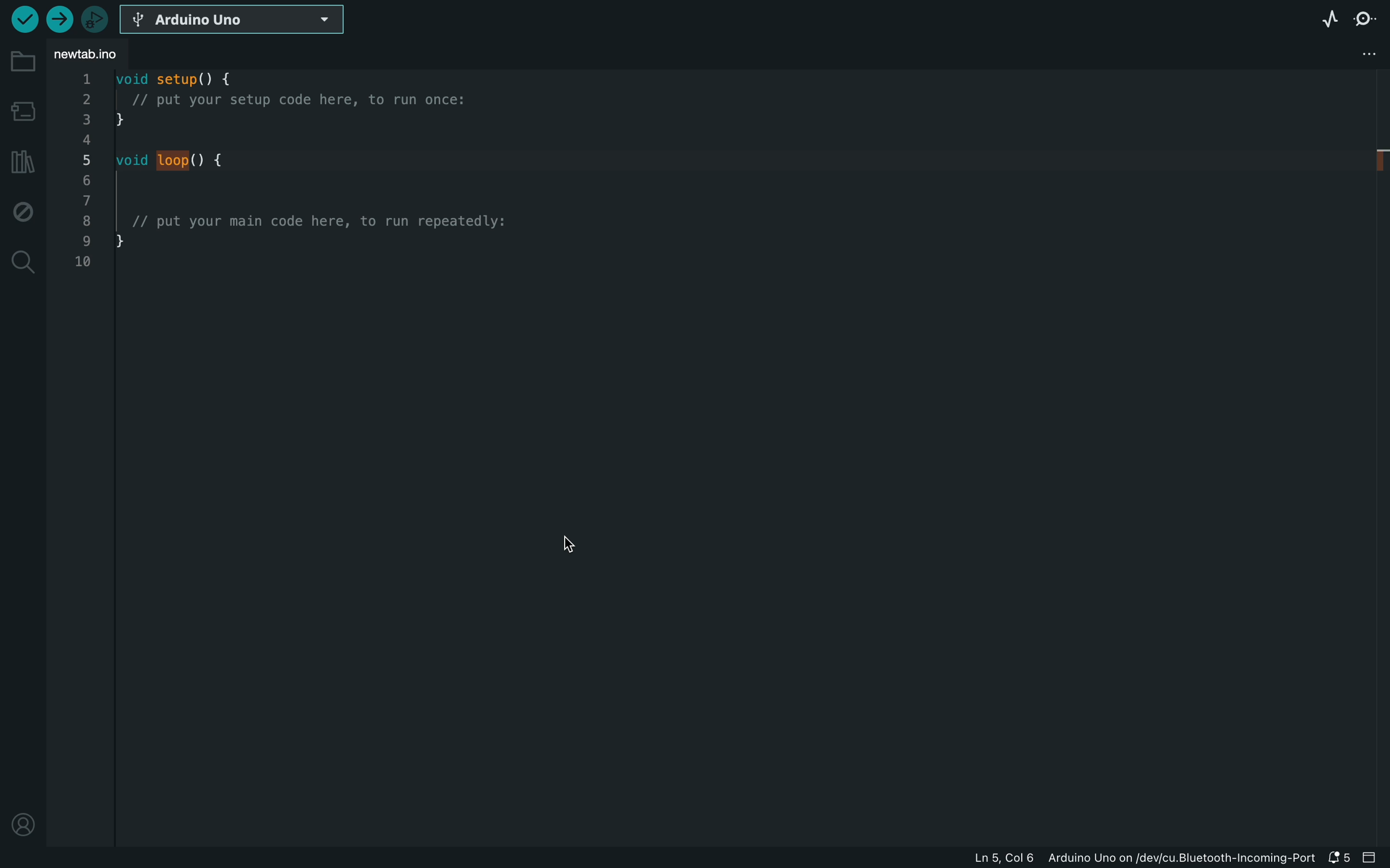 The width and height of the screenshot is (1390, 868). What do you see at coordinates (96, 18) in the screenshot?
I see `debugger` at bounding box center [96, 18].